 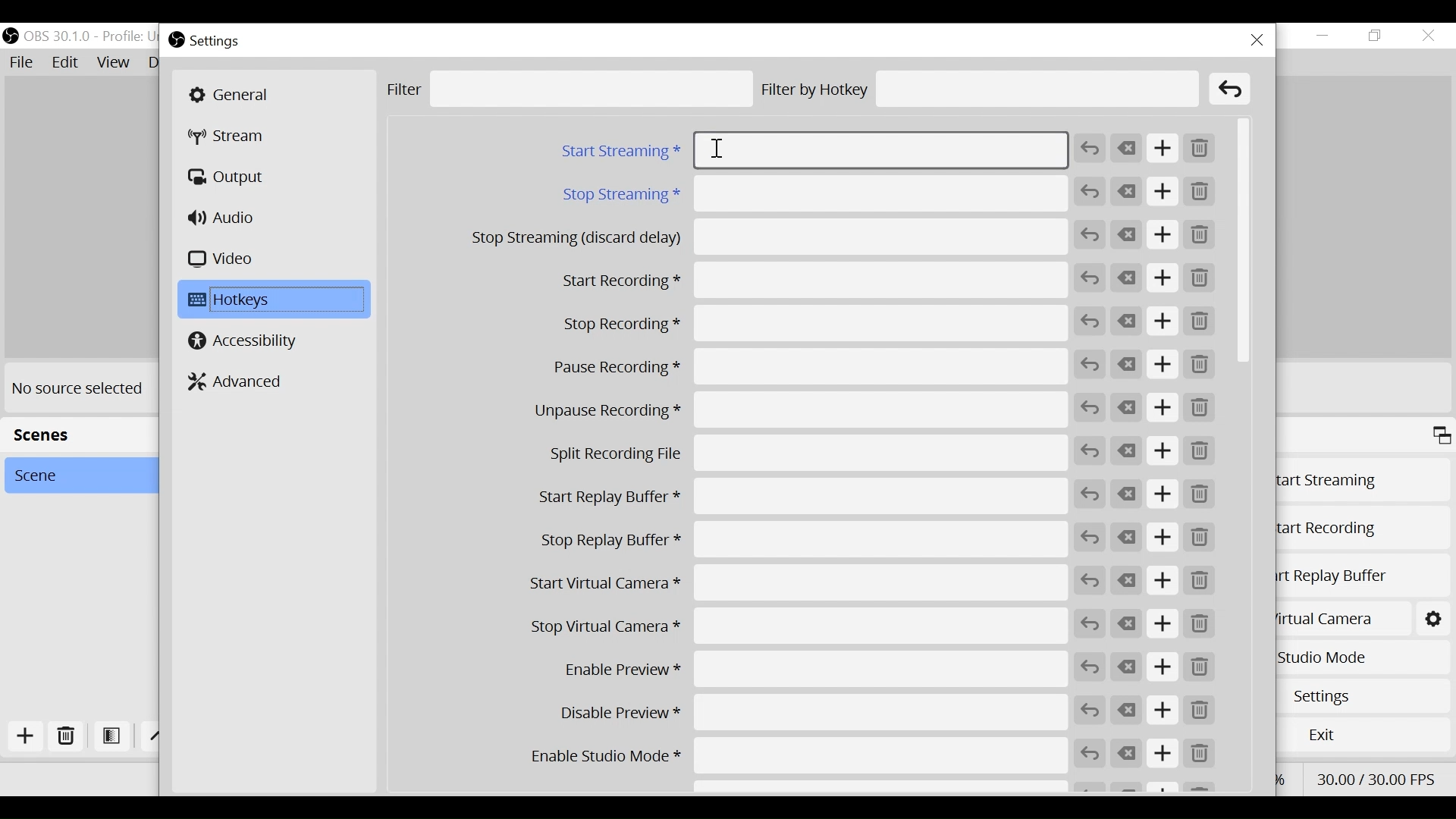 What do you see at coordinates (1128, 407) in the screenshot?
I see `Clear` at bounding box center [1128, 407].